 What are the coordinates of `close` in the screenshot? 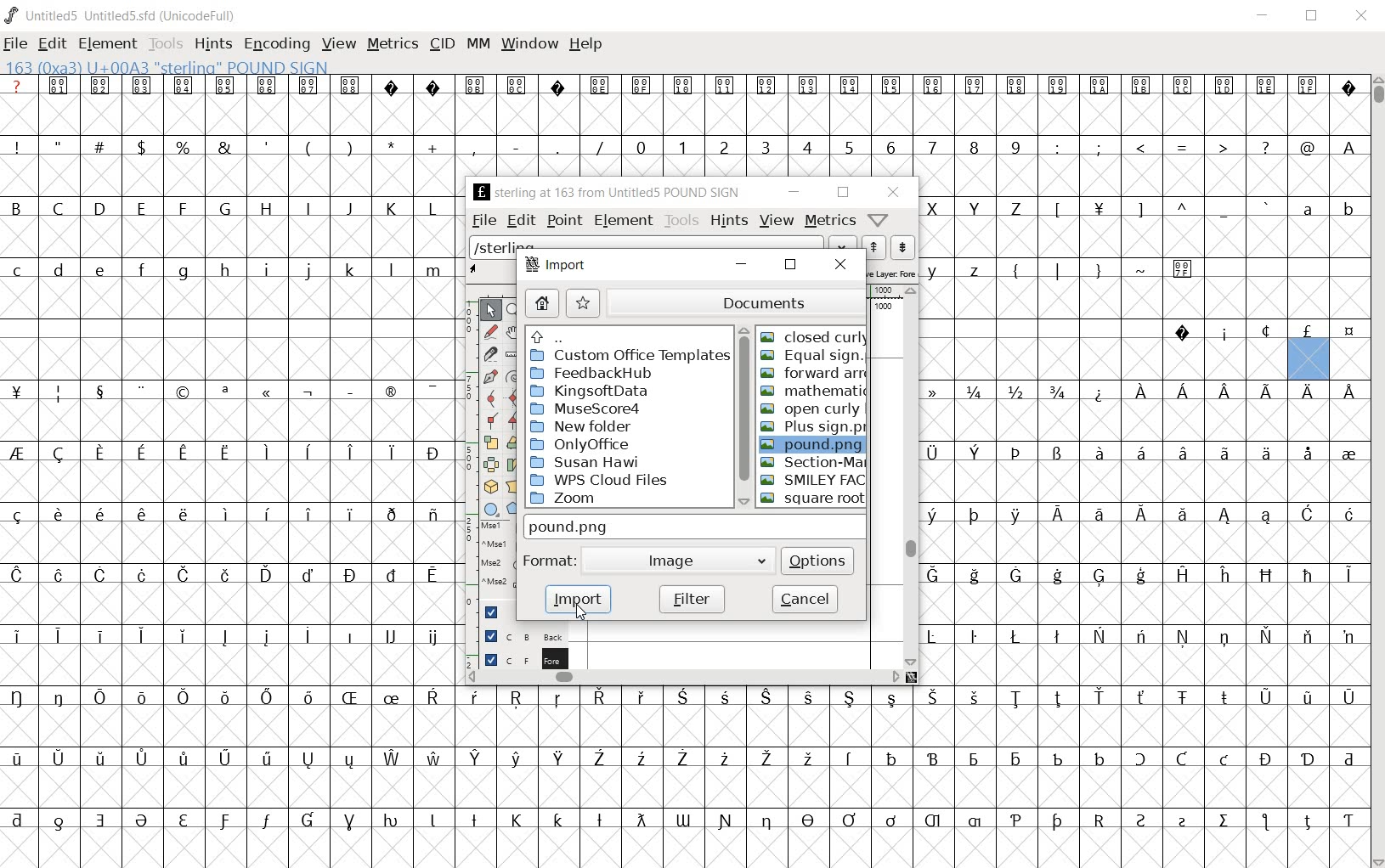 It's located at (891, 192).